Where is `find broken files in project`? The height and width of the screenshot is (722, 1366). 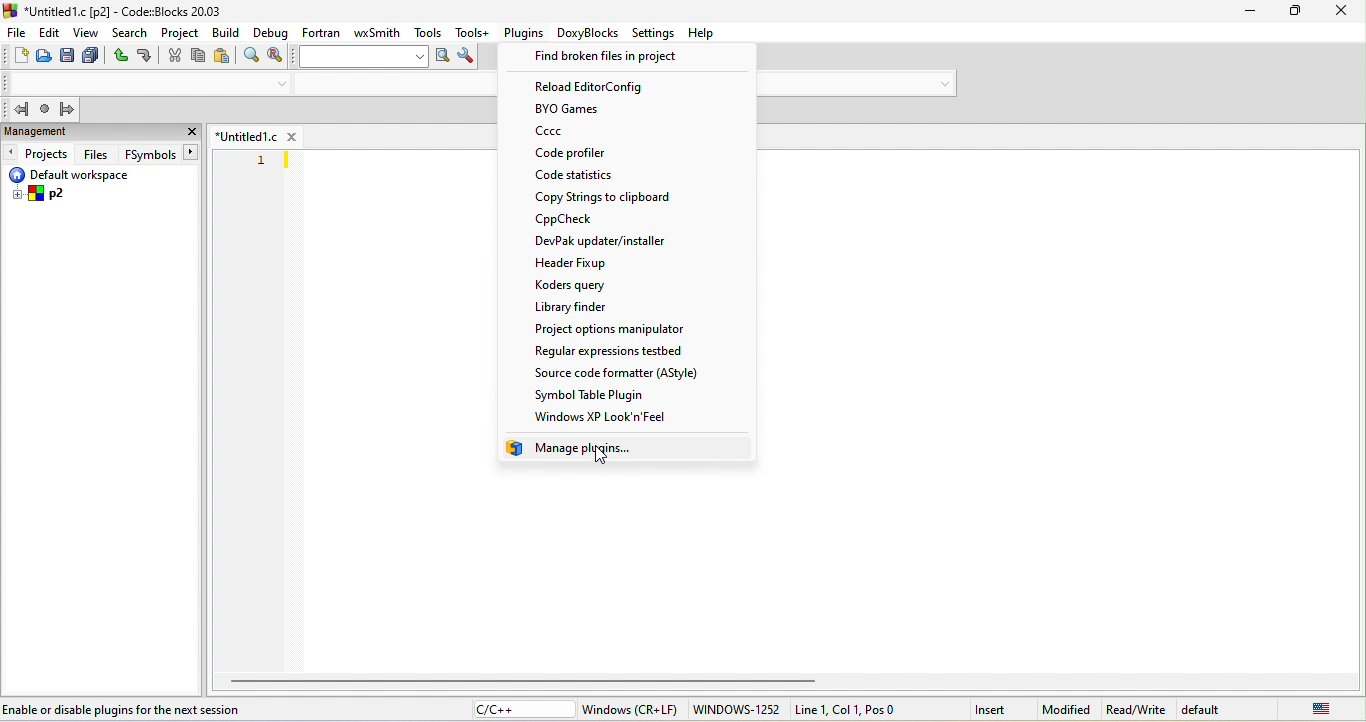
find broken files in project is located at coordinates (609, 59).